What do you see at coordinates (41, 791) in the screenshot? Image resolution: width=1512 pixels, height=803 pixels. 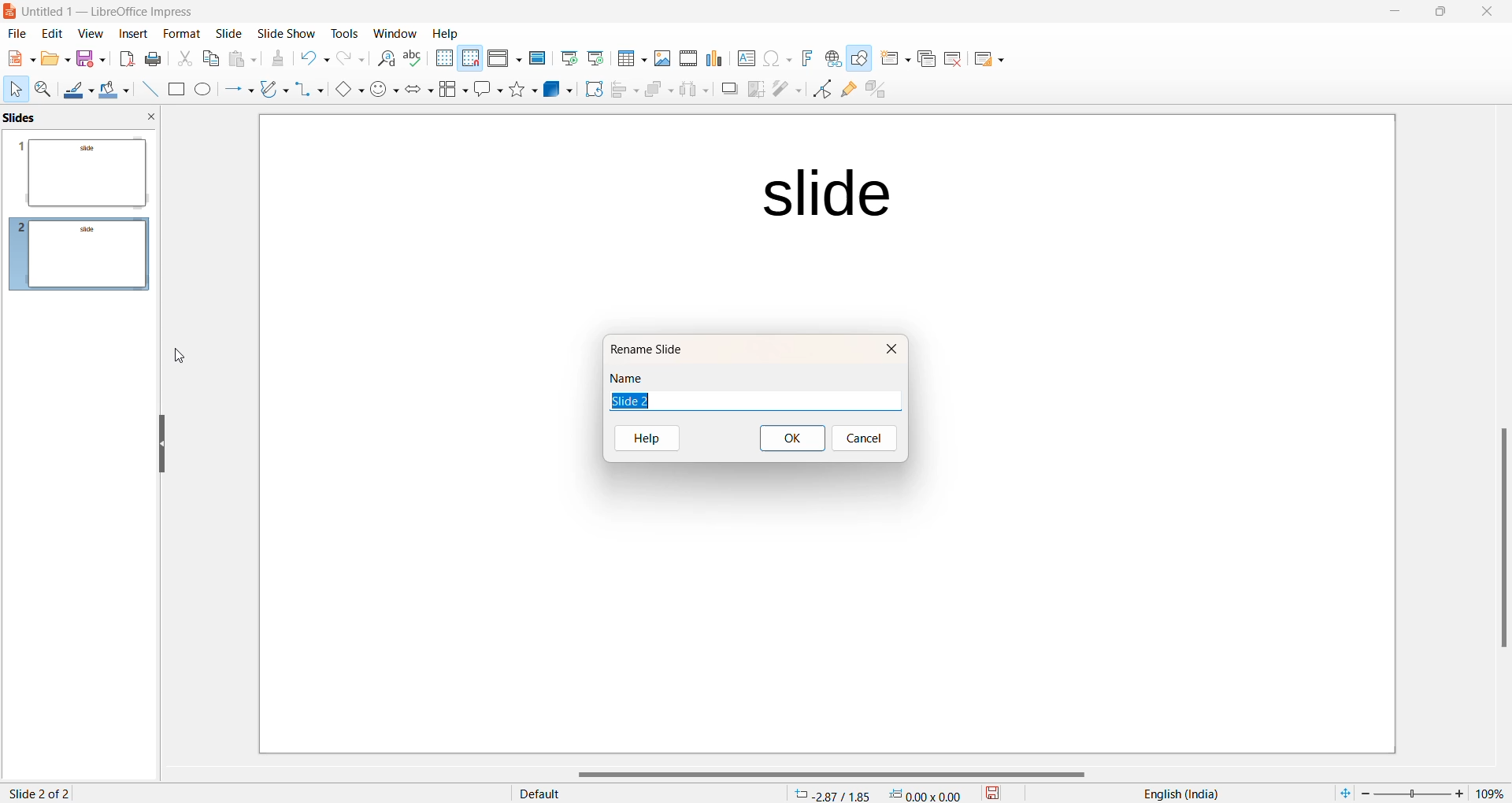 I see `slide 2 of 2` at bounding box center [41, 791].